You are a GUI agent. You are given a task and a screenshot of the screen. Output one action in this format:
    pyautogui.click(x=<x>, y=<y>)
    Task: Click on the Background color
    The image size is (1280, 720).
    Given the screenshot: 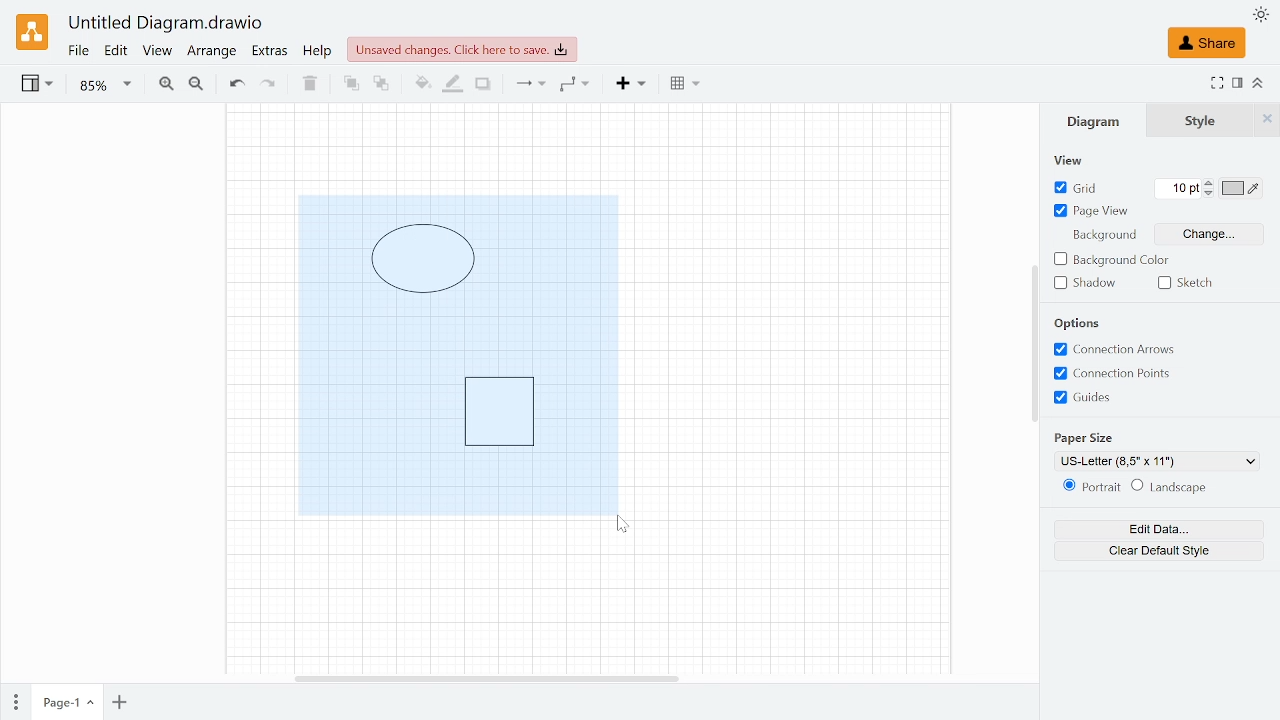 What is the action you would take?
    pyautogui.click(x=1111, y=260)
    